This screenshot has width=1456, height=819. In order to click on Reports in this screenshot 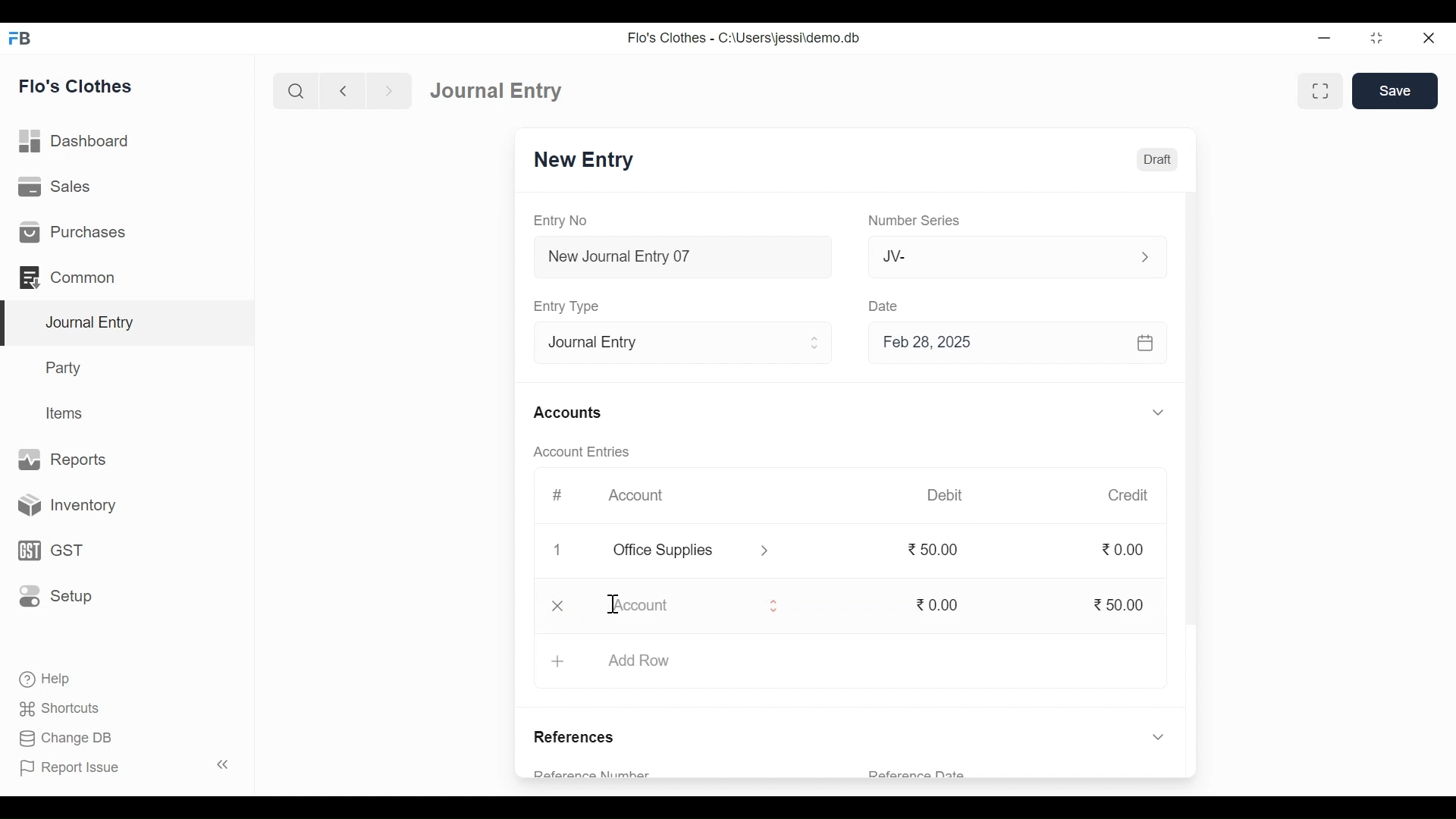, I will do `click(64, 458)`.